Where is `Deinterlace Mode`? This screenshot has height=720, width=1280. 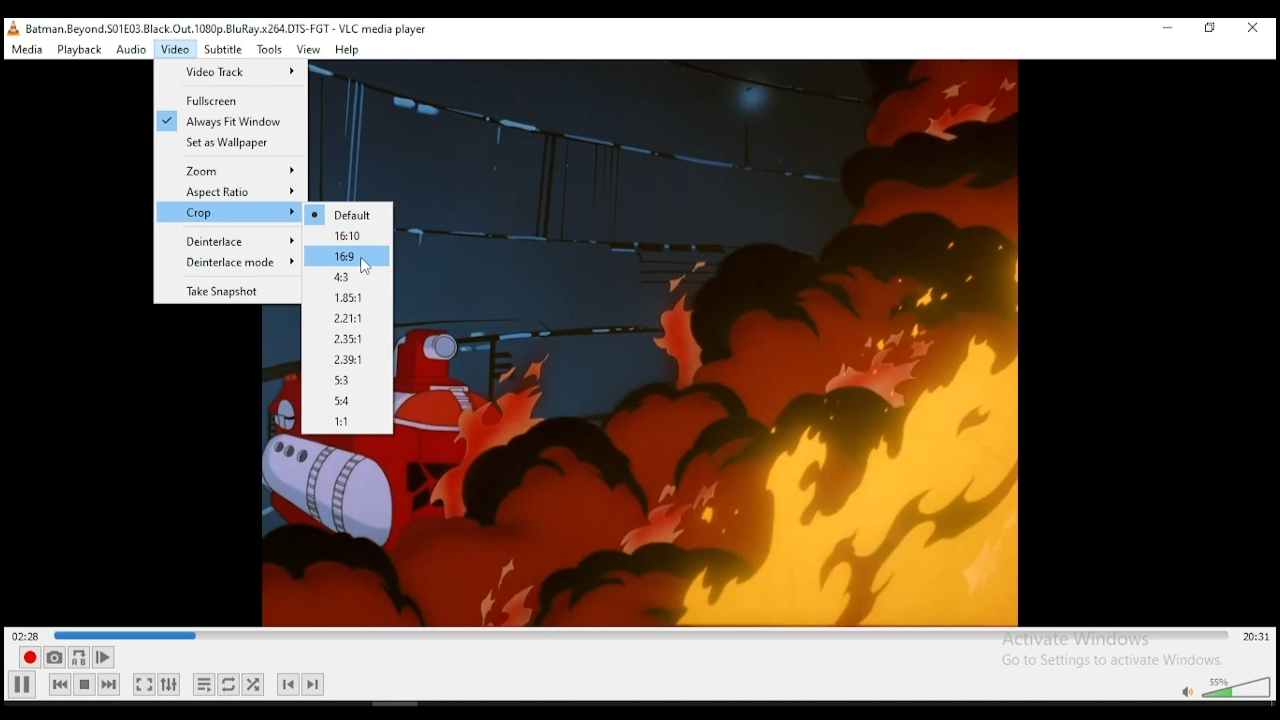
Deinterlace Mode is located at coordinates (229, 263).